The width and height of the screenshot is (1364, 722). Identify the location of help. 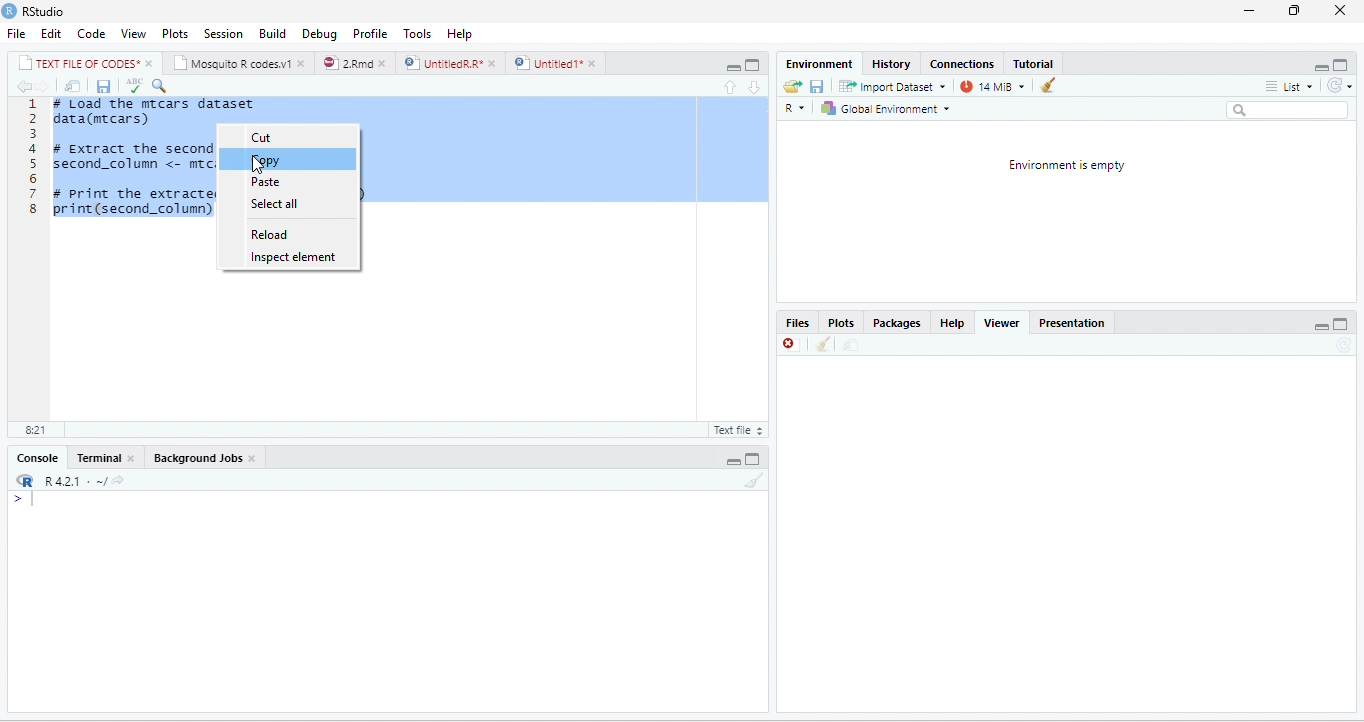
(458, 32).